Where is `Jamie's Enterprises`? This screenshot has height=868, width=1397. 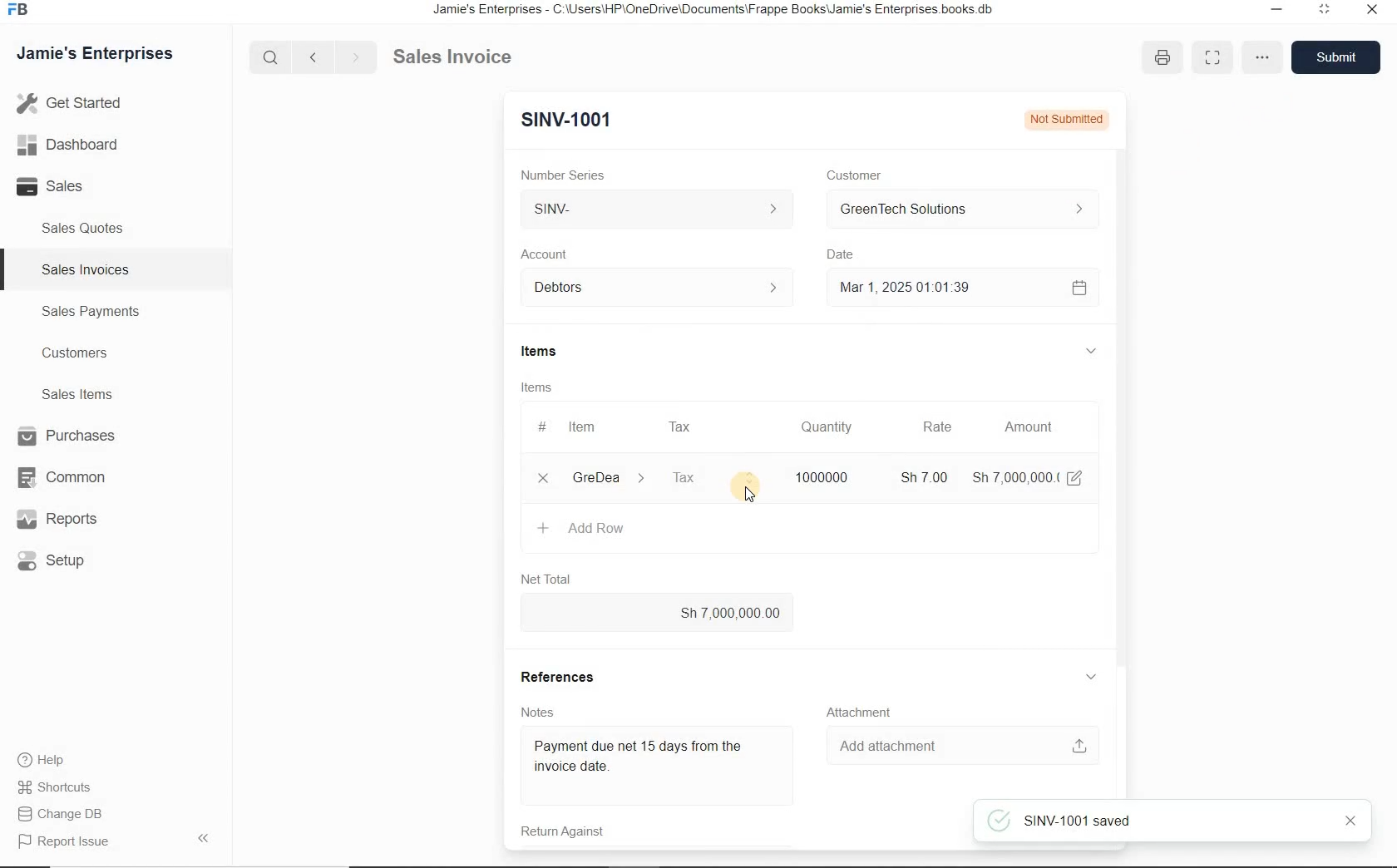
Jamie's Enterprises is located at coordinates (93, 54).